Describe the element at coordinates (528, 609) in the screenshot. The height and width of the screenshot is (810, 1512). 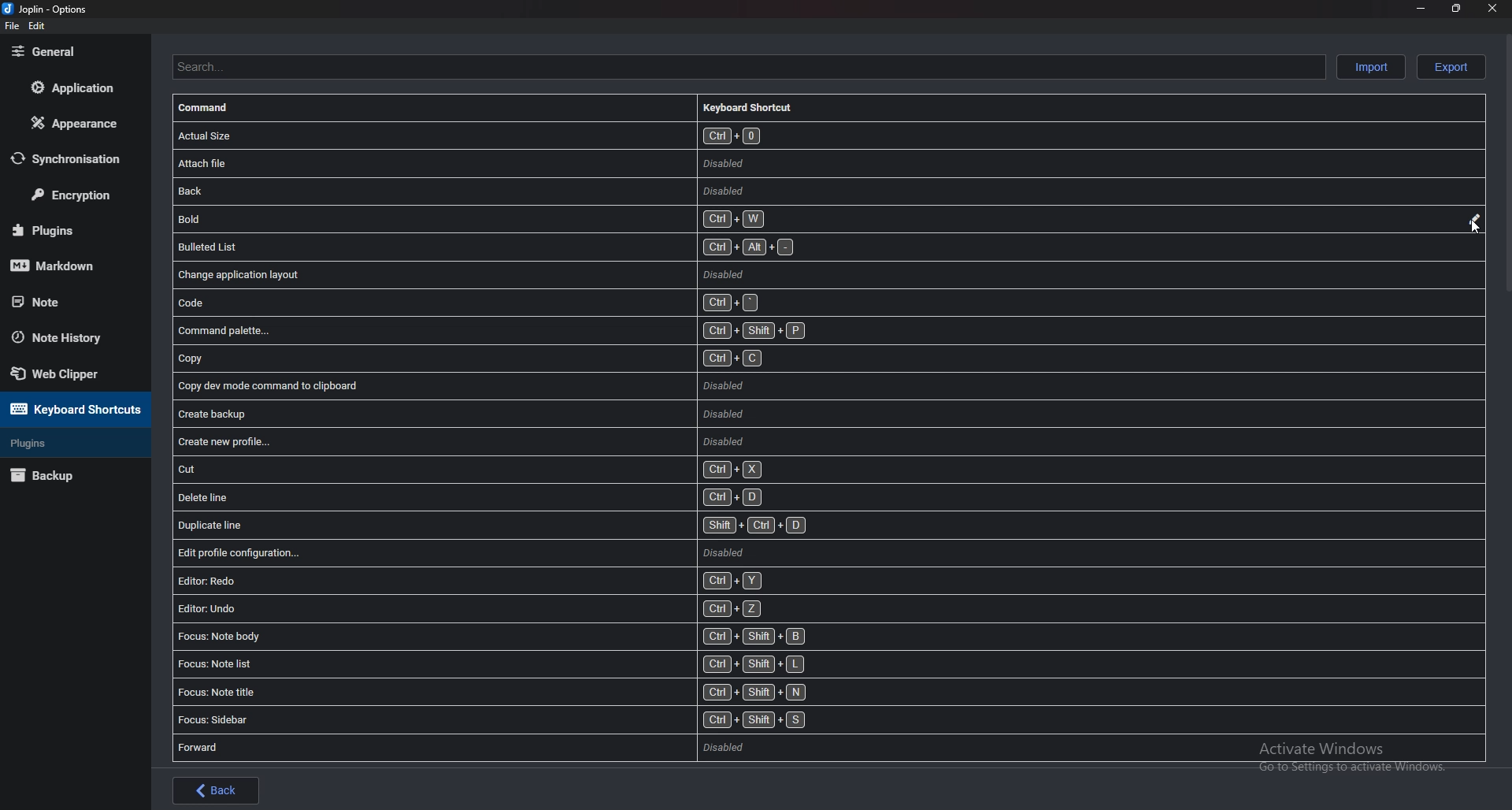
I see `Editor undo` at that location.